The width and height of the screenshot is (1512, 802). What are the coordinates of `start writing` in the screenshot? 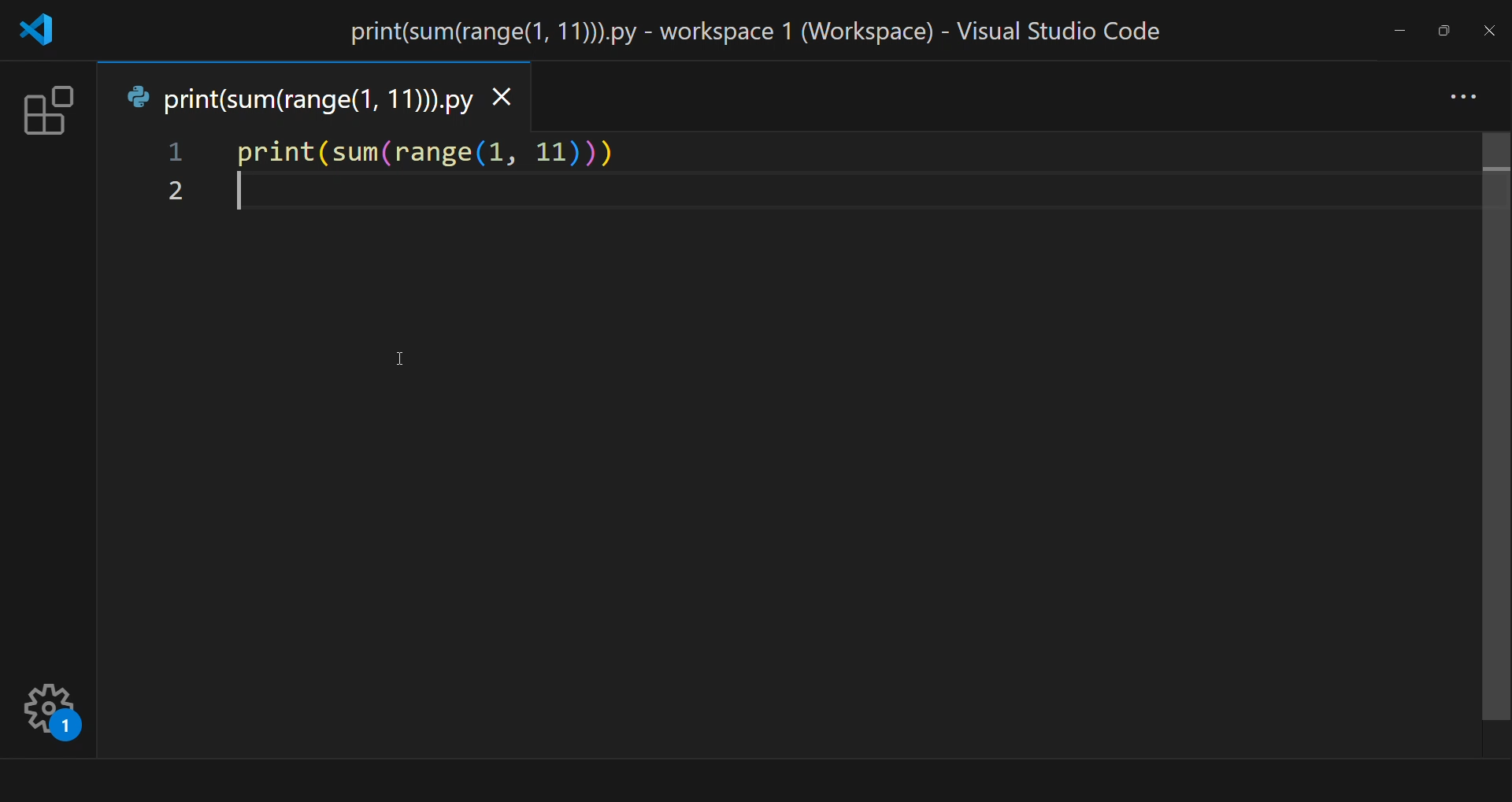 It's located at (241, 195).